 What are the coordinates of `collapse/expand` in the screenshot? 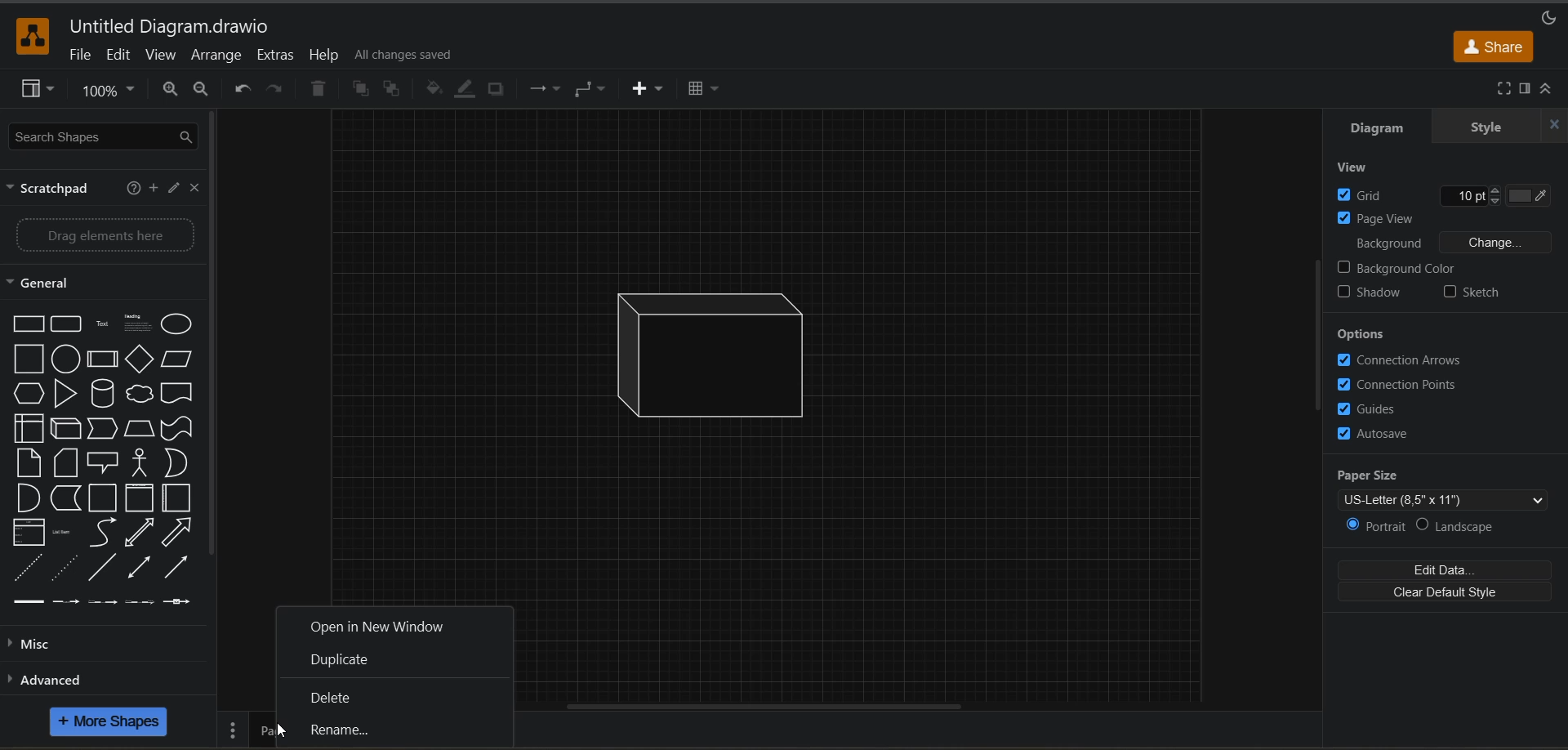 It's located at (1548, 88).